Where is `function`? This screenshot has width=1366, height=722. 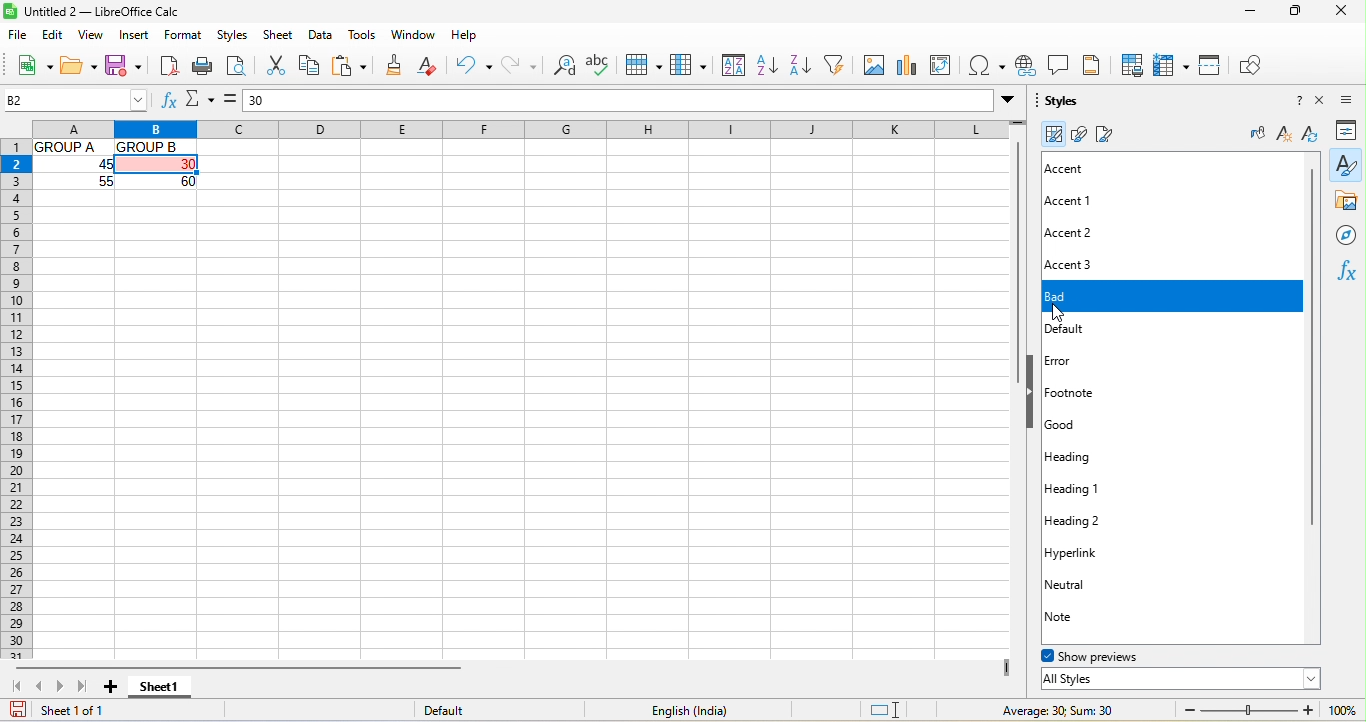 function is located at coordinates (1350, 273).